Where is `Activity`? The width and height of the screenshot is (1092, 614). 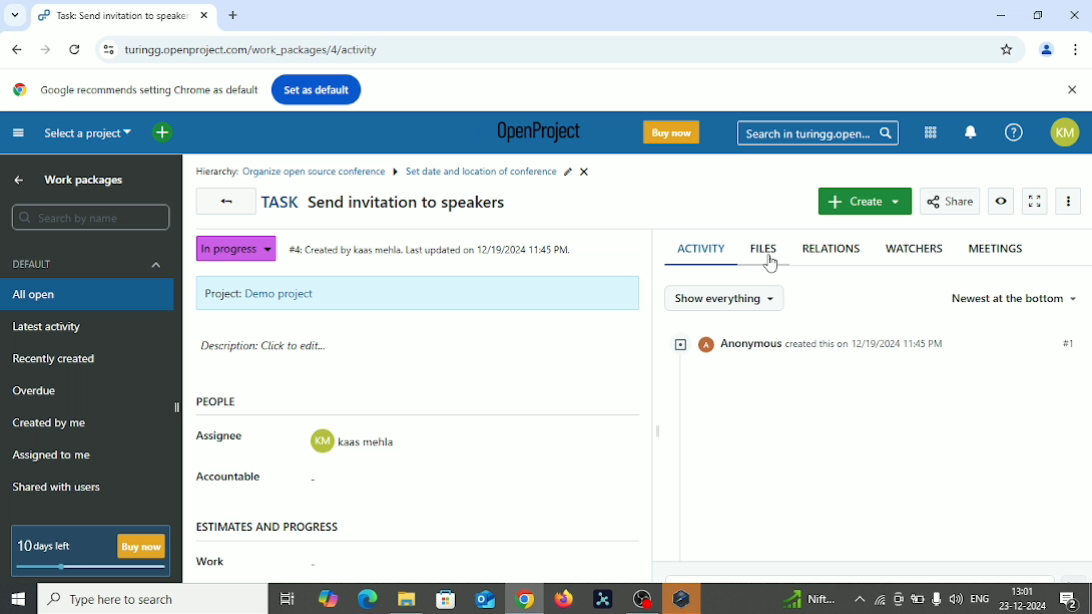 Activity is located at coordinates (700, 246).